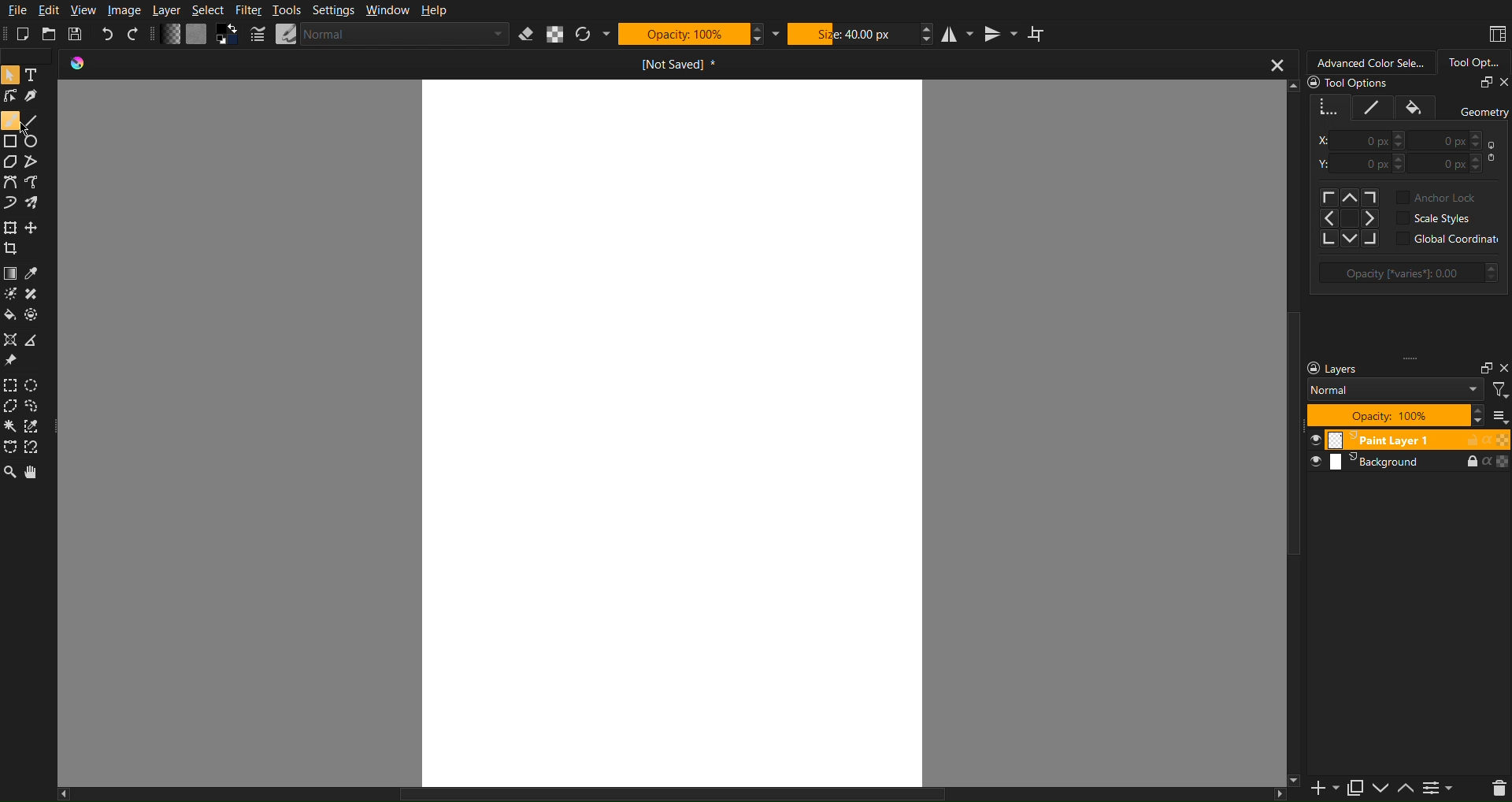 The image size is (1512, 802). What do you see at coordinates (50, 33) in the screenshot?
I see `Open` at bounding box center [50, 33].